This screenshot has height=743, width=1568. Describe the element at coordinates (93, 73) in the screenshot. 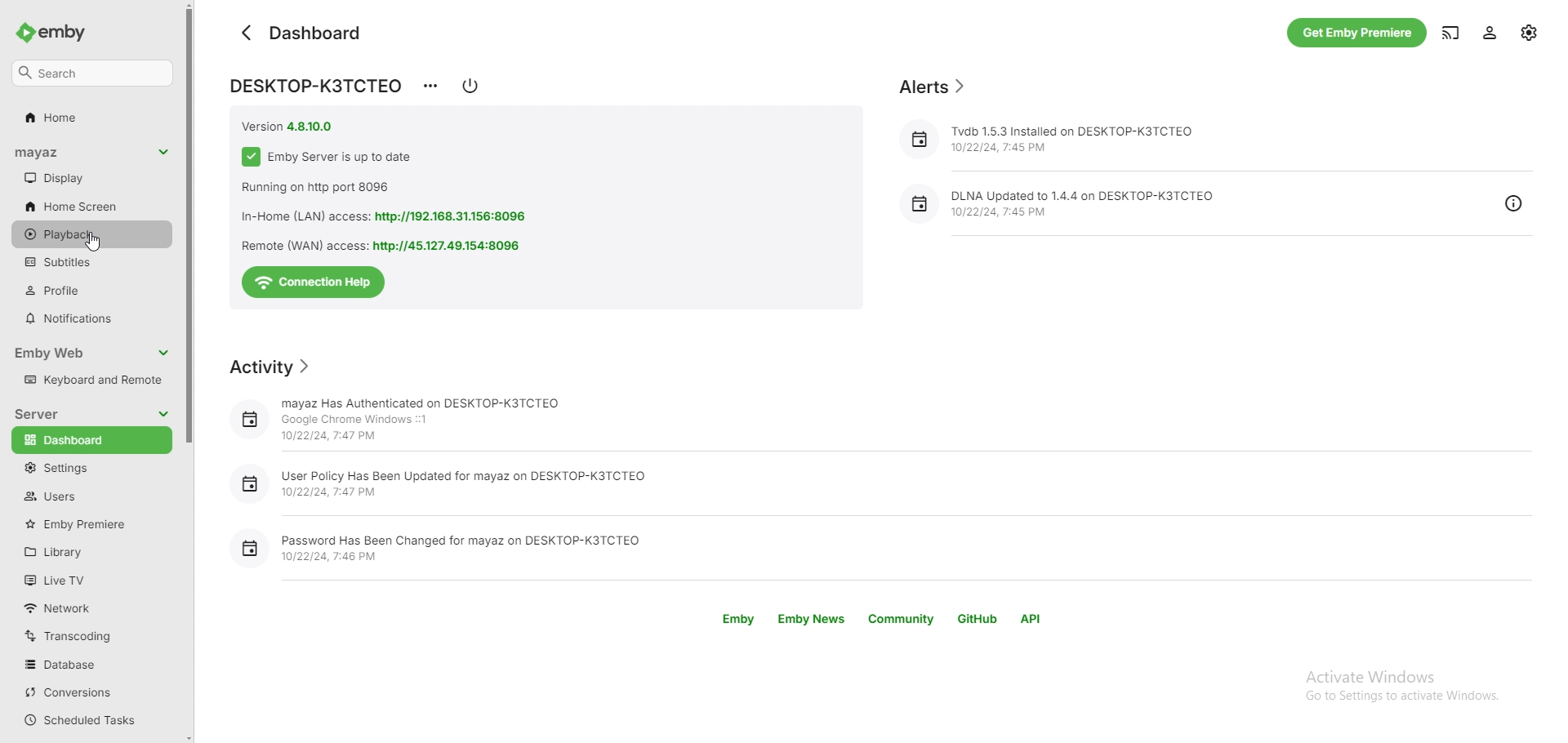

I see `search settings` at that location.